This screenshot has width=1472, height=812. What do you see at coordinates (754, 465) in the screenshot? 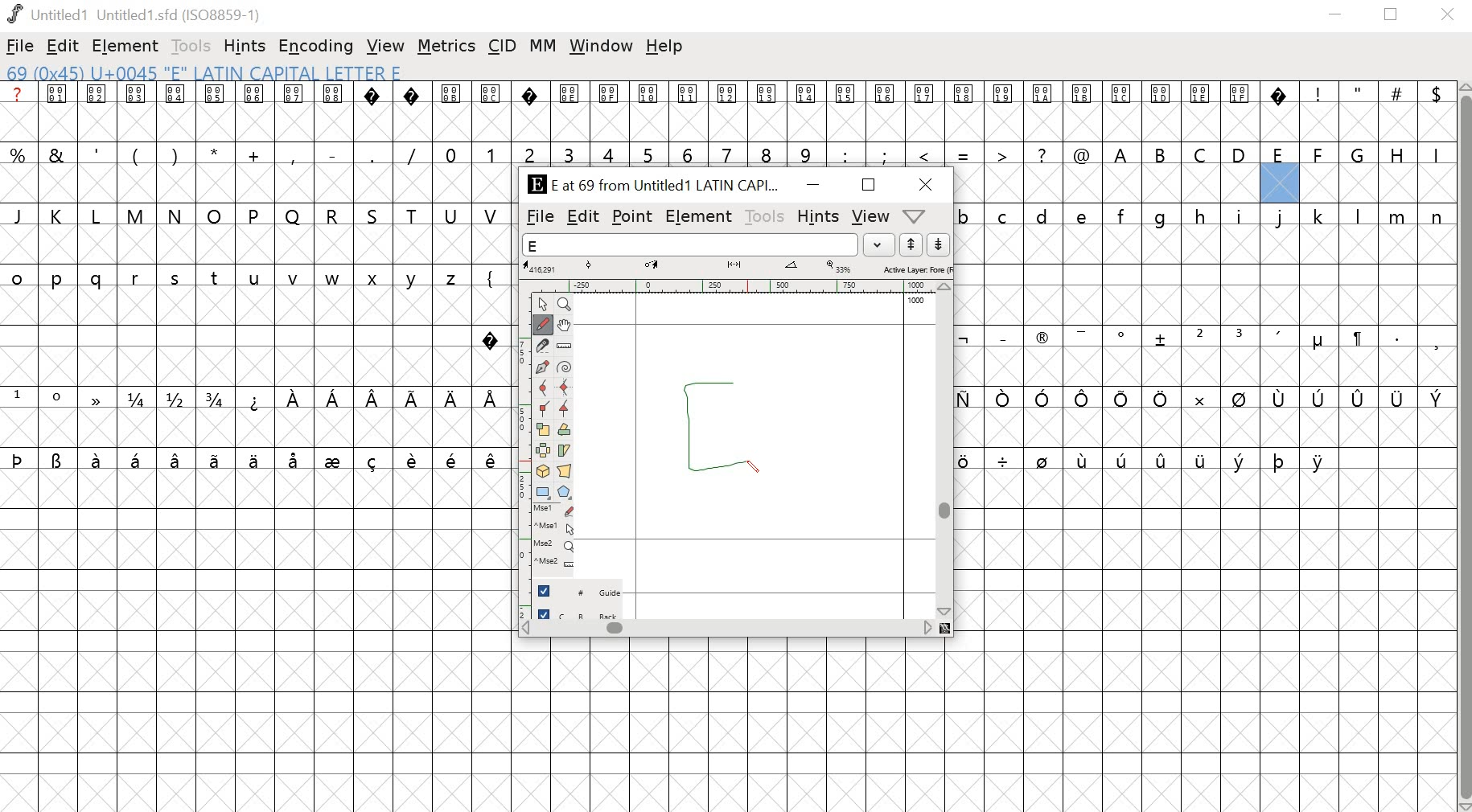
I see `PEN` at bounding box center [754, 465].